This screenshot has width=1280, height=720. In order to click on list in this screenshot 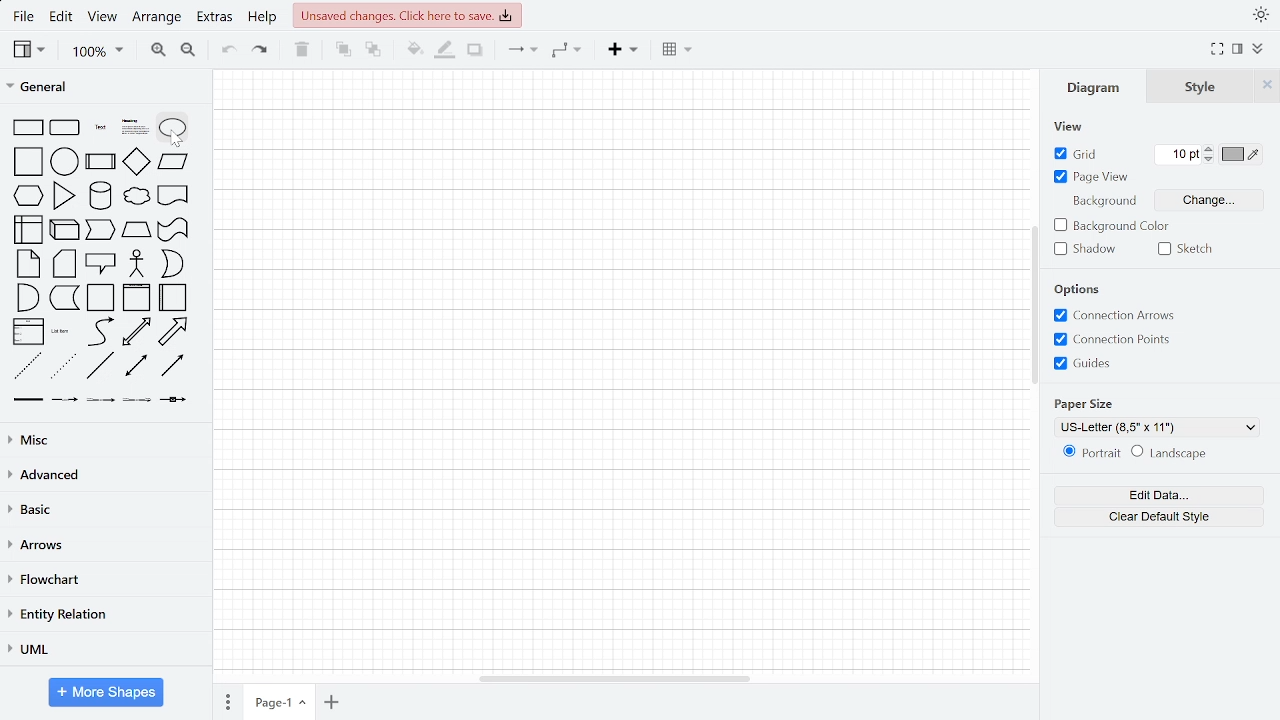, I will do `click(26, 332)`.